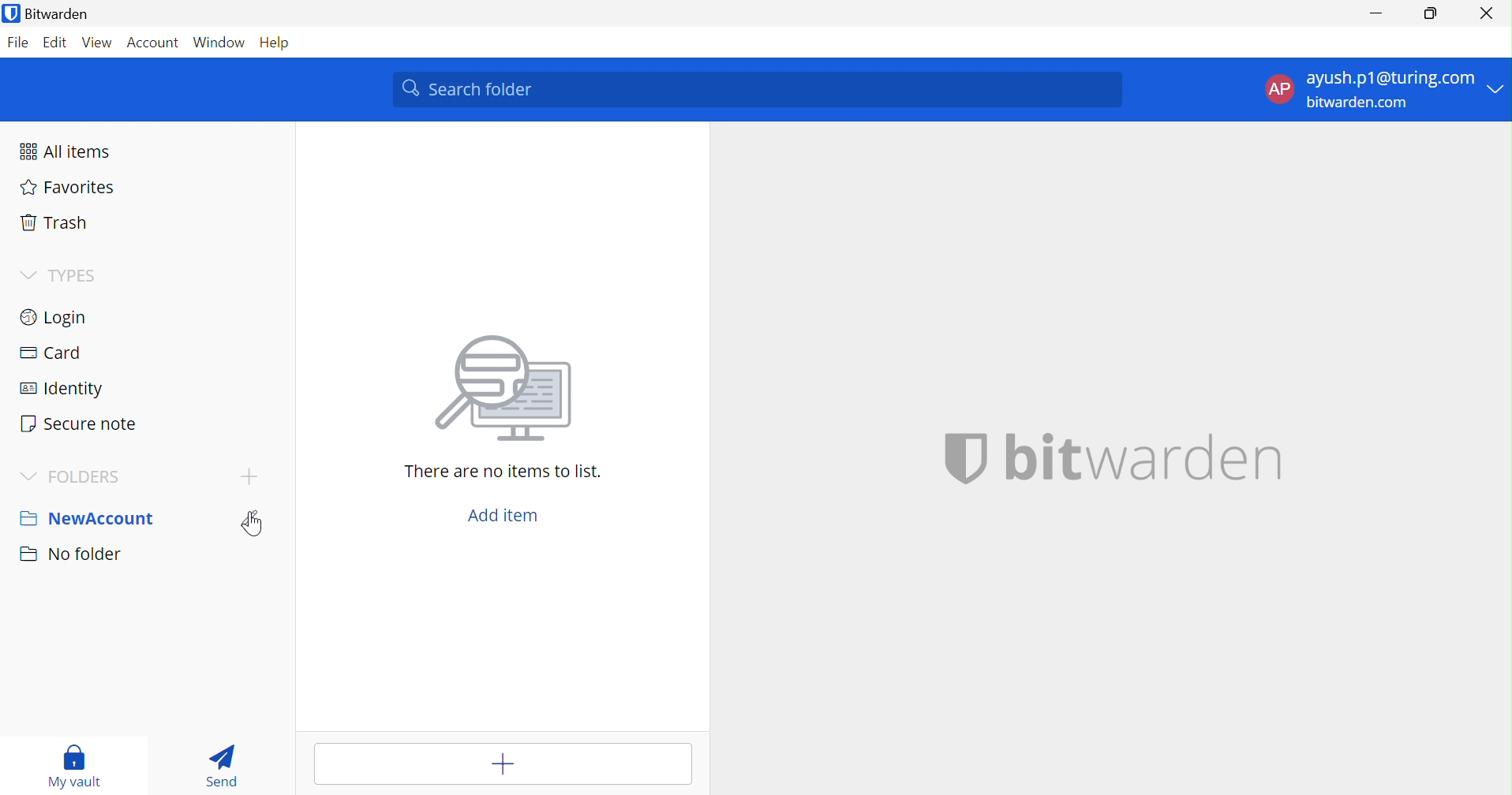 The width and height of the screenshot is (1512, 795). What do you see at coordinates (66, 151) in the screenshot?
I see `All items` at bounding box center [66, 151].